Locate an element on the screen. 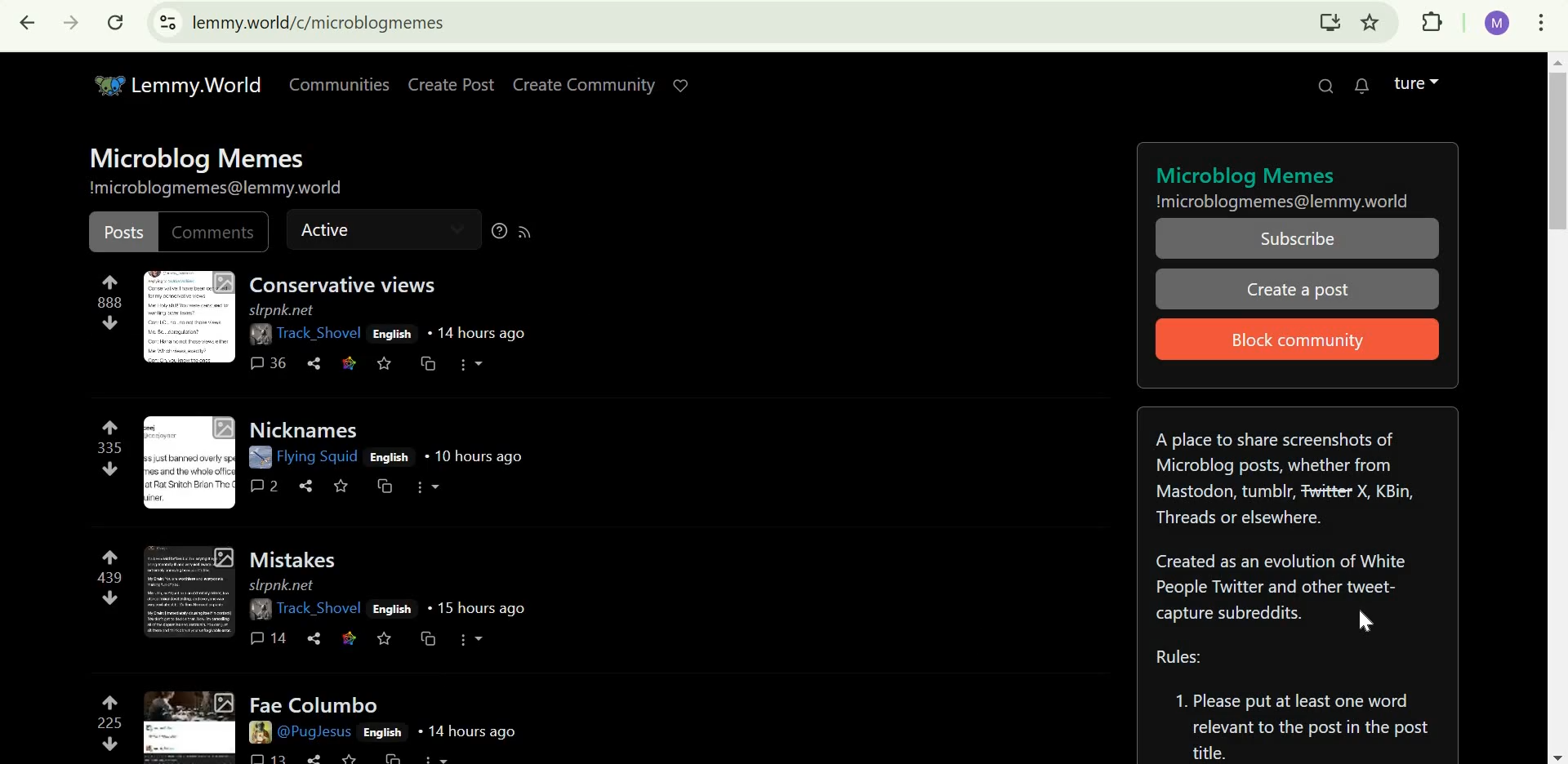 This screenshot has width=1568, height=764. share is located at coordinates (310, 486).